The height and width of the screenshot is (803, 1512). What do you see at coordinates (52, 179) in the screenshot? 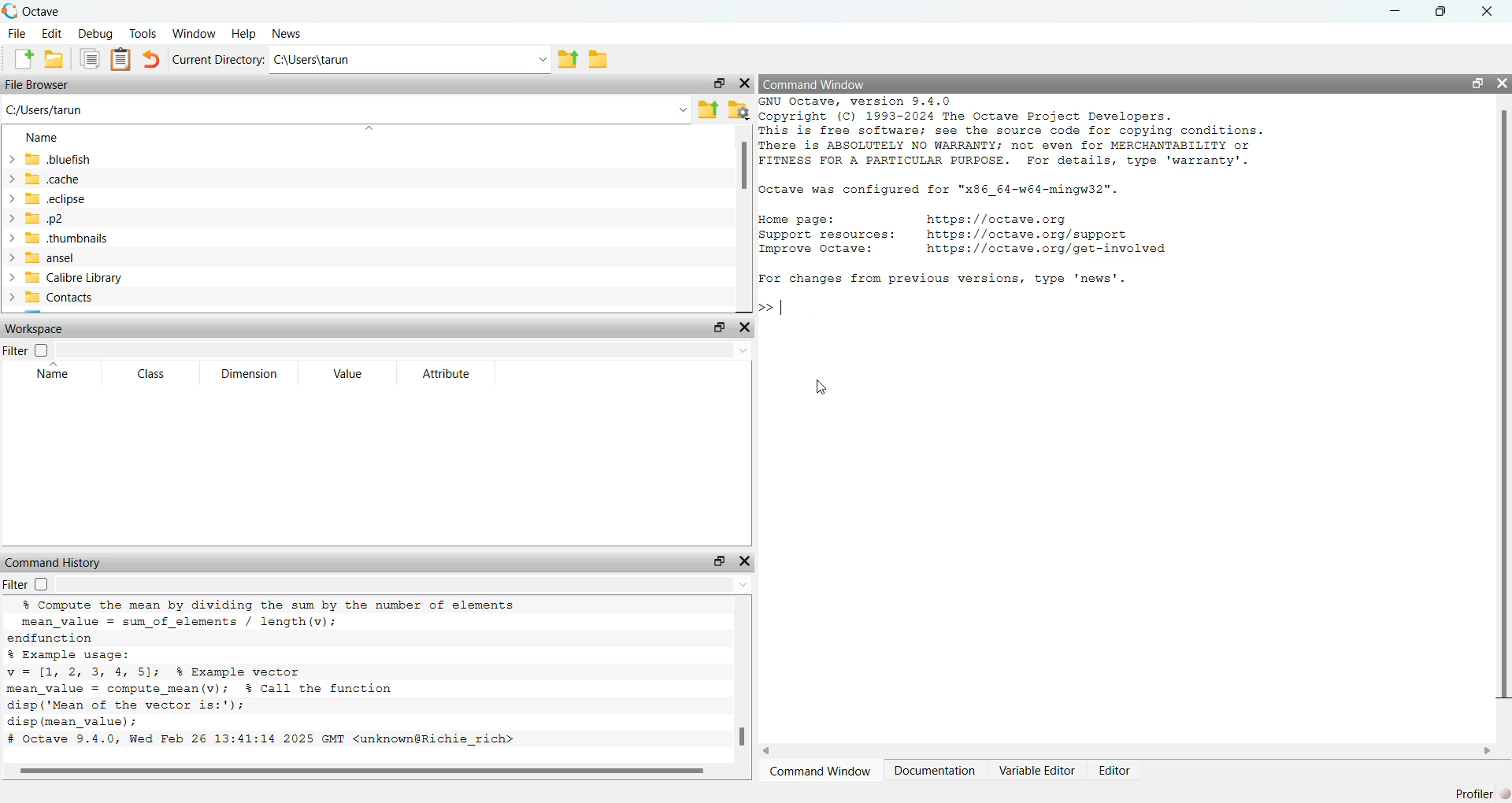
I see `.cache` at bounding box center [52, 179].